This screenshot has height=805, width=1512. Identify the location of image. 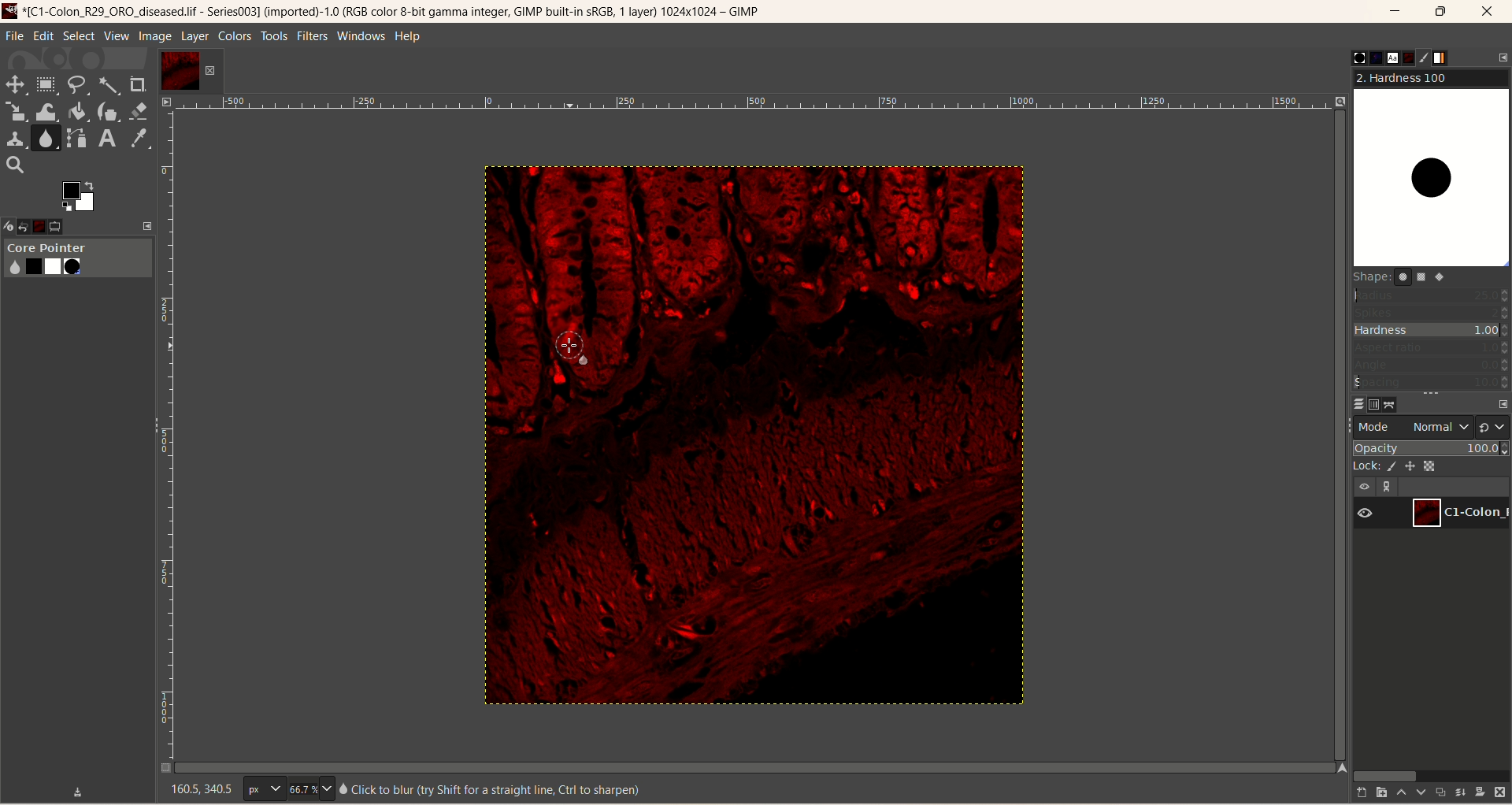
(754, 436).